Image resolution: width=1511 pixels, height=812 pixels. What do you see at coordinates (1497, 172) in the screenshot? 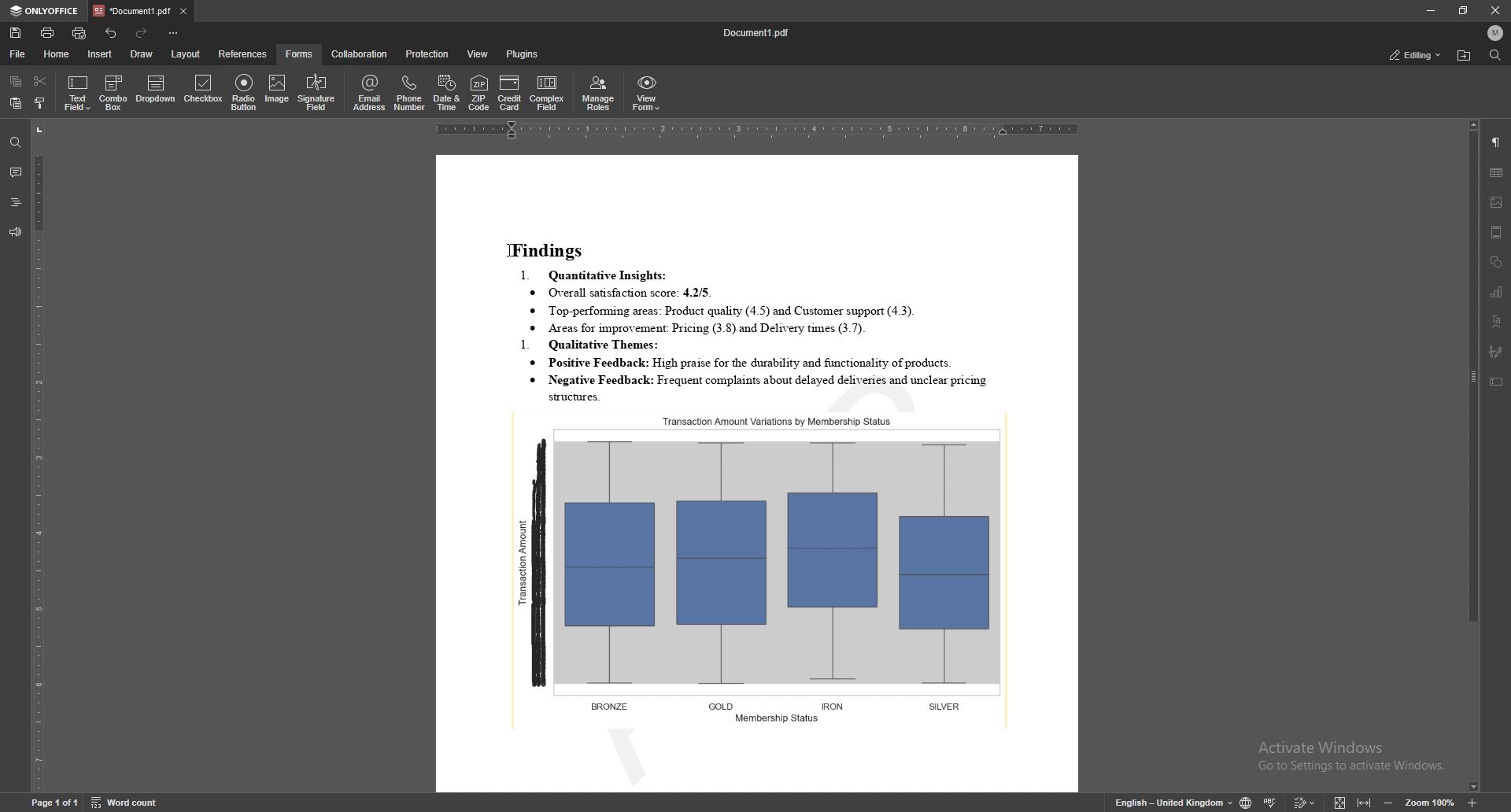
I see `table` at bounding box center [1497, 172].